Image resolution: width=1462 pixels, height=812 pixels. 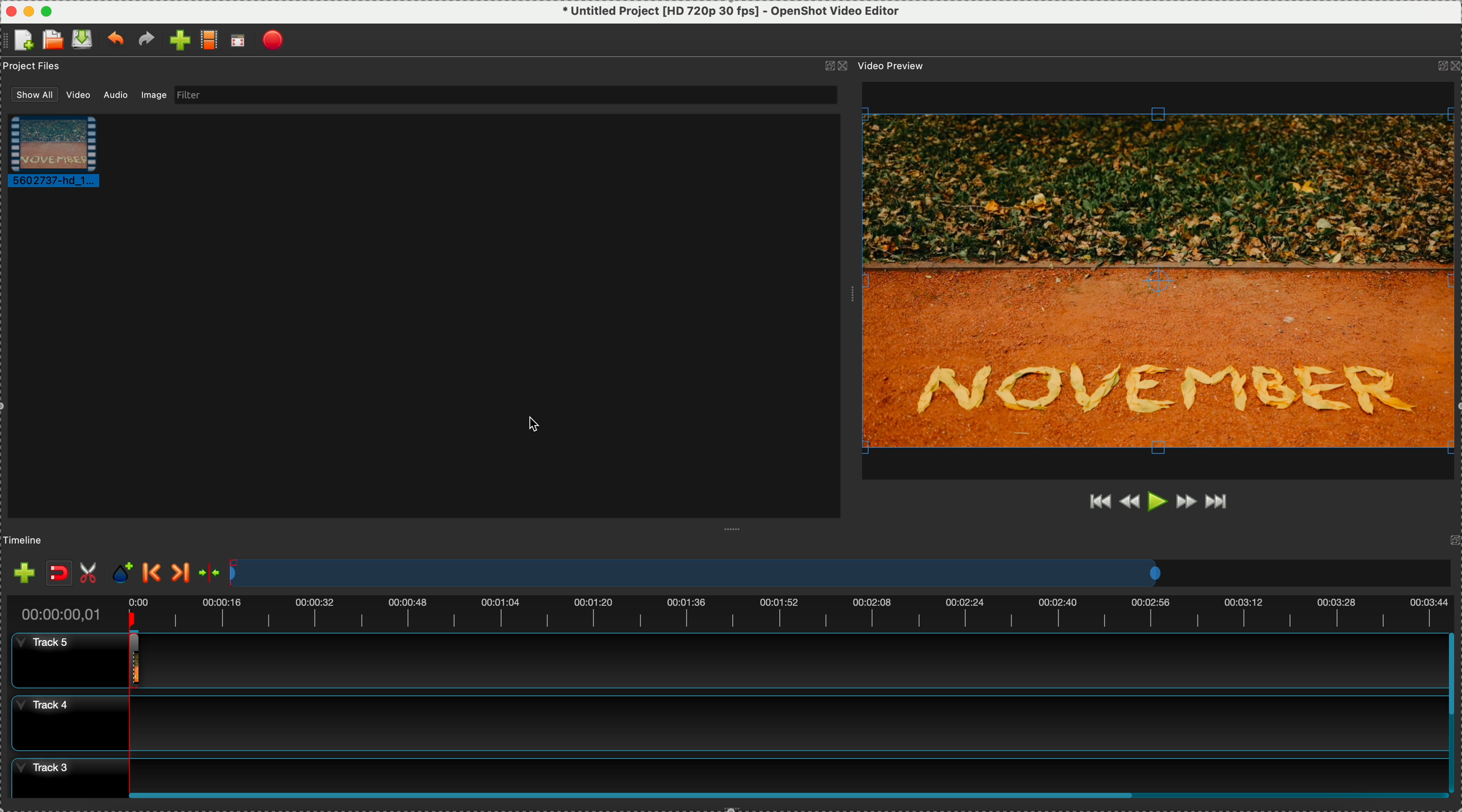 What do you see at coordinates (1186, 504) in the screenshot?
I see `fast forward` at bounding box center [1186, 504].